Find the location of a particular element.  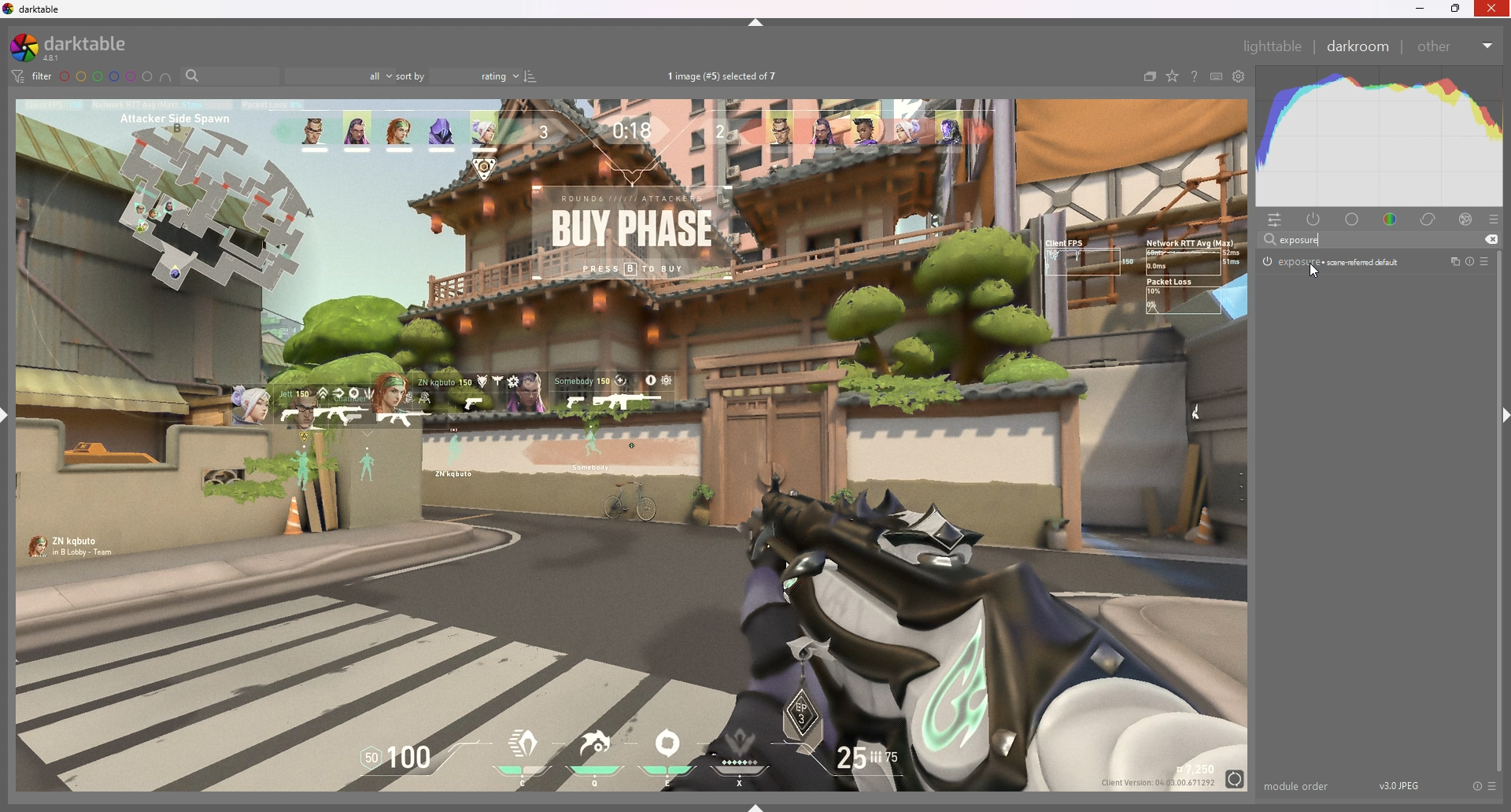

active module is located at coordinates (1316, 220).